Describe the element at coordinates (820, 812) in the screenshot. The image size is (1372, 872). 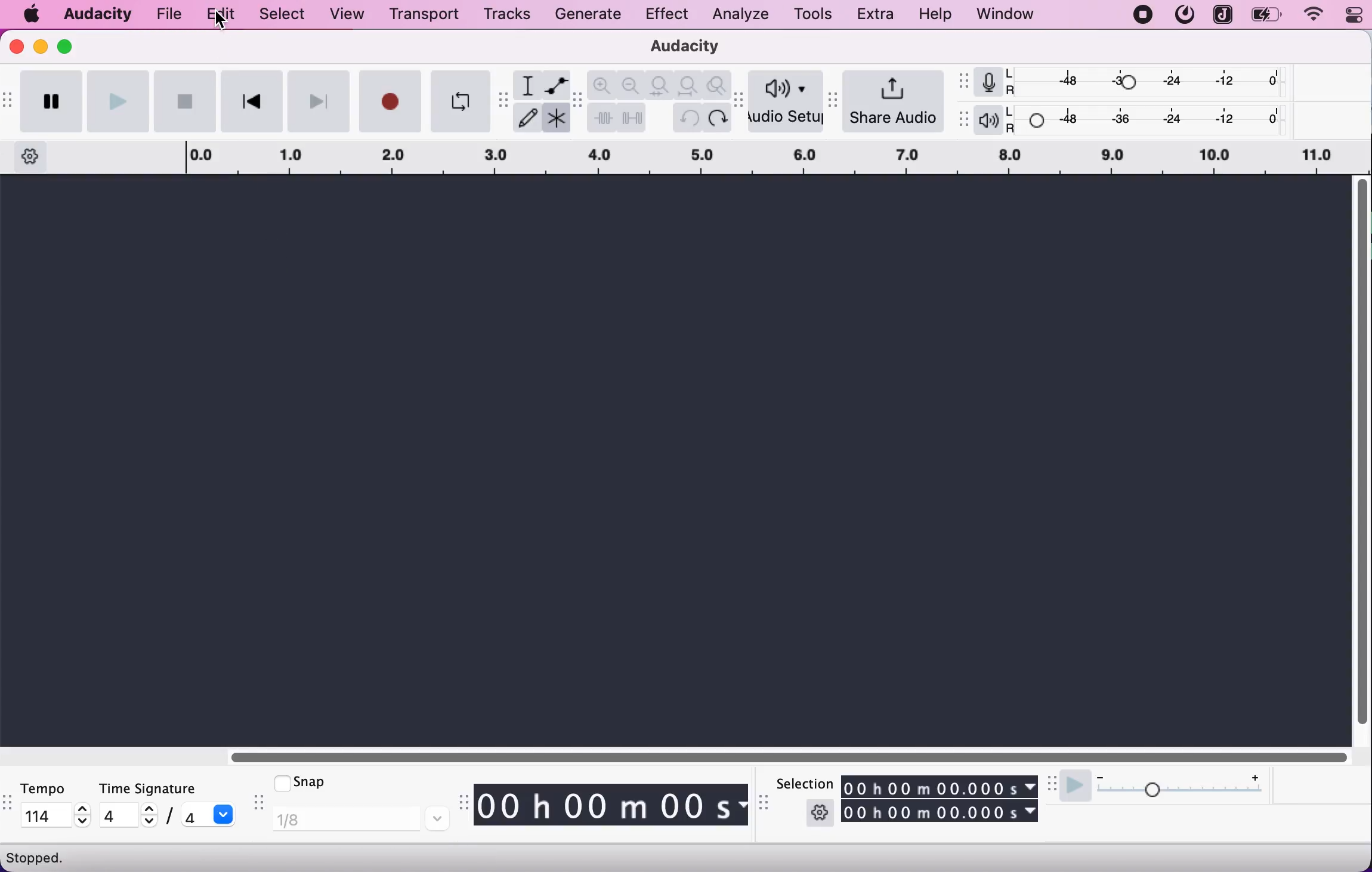
I see `settings` at that location.